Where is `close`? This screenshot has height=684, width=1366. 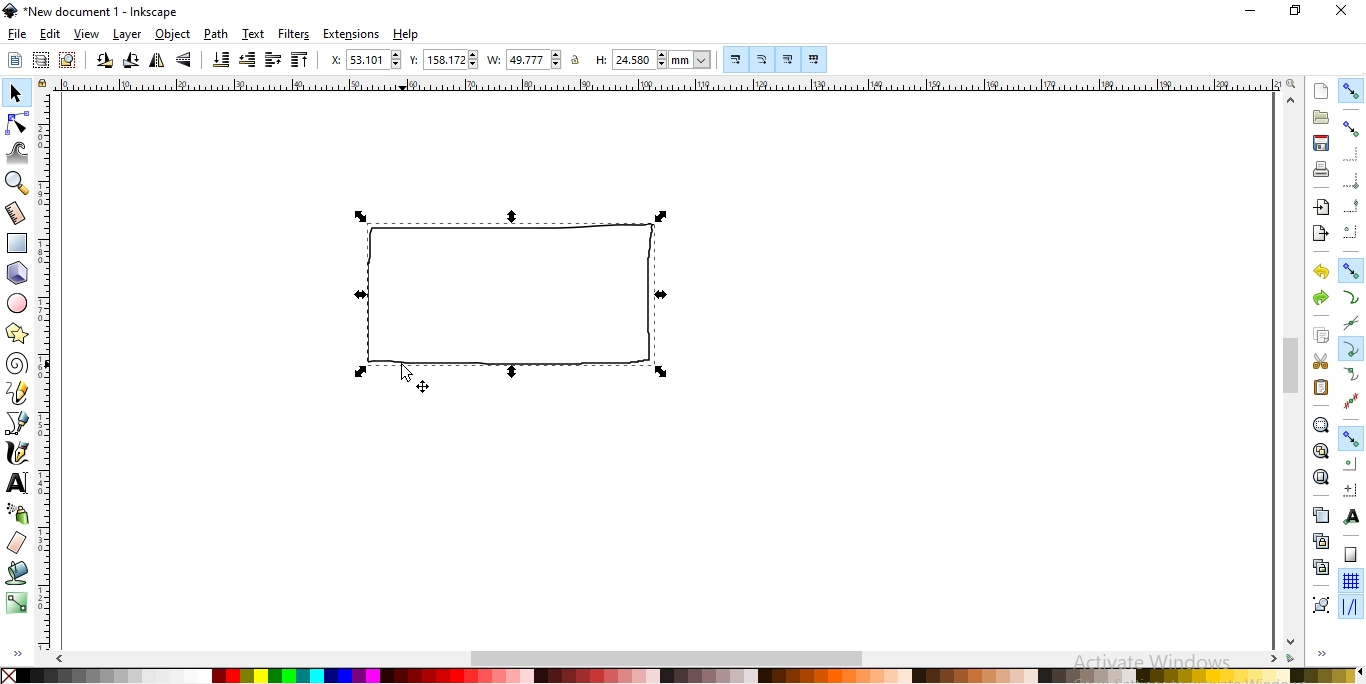 close is located at coordinates (1346, 10).